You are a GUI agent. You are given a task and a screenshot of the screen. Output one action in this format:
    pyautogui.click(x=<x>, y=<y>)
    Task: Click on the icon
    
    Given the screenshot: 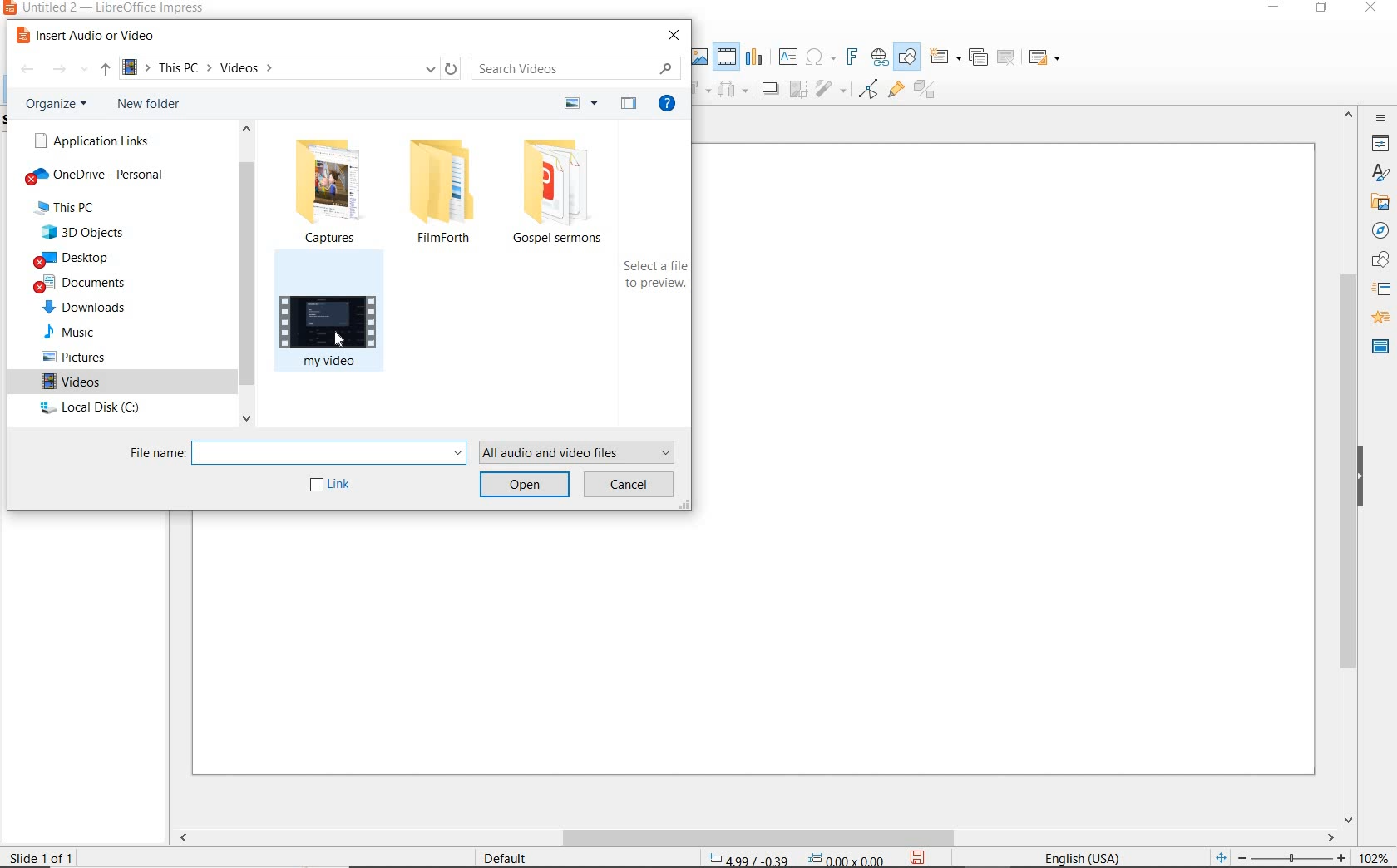 What is the action you would take?
    pyautogui.click(x=800, y=90)
    